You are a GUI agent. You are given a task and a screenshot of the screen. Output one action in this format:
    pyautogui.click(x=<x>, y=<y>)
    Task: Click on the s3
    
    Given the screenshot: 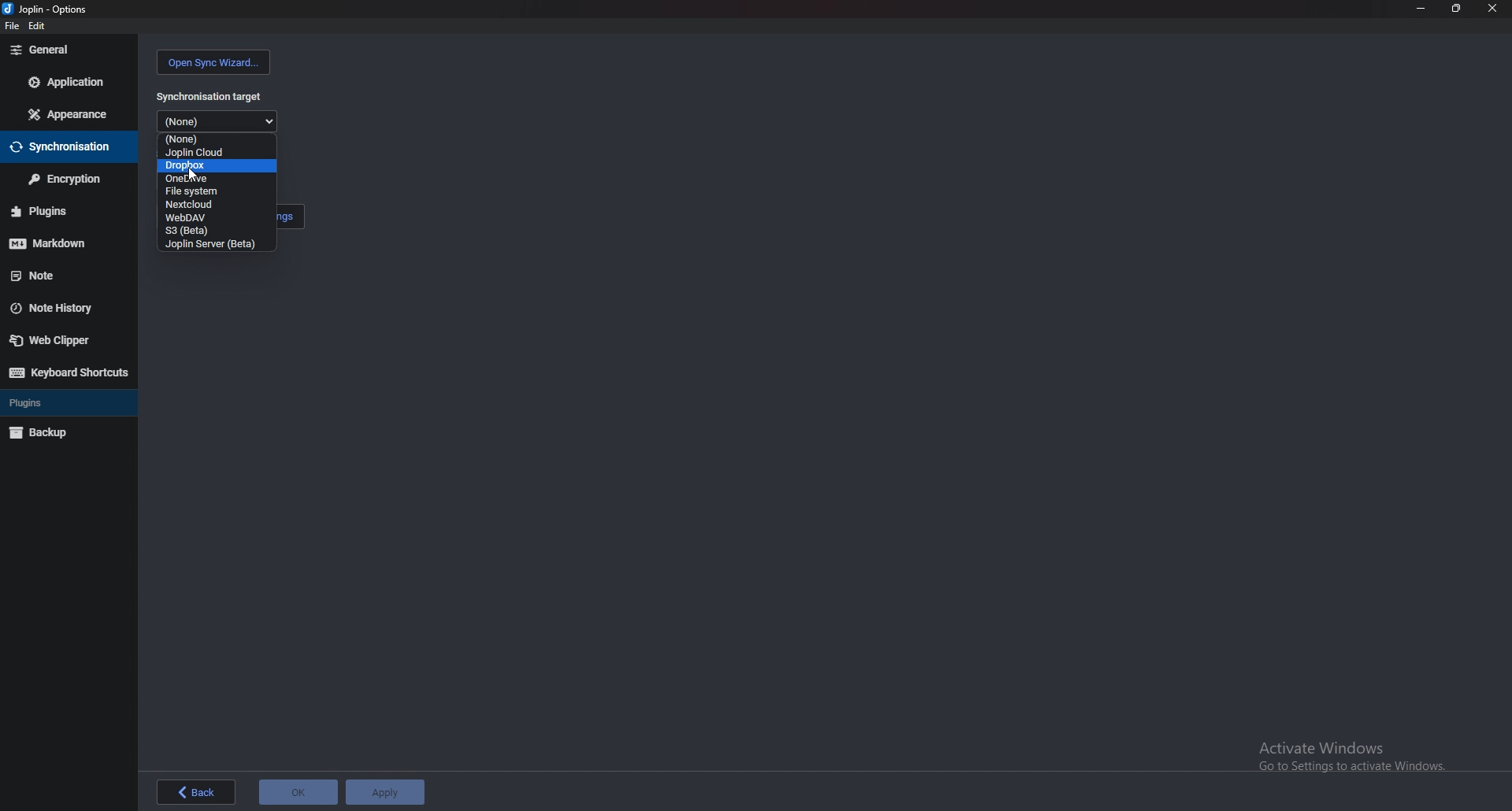 What is the action you would take?
    pyautogui.click(x=196, y=231)
    